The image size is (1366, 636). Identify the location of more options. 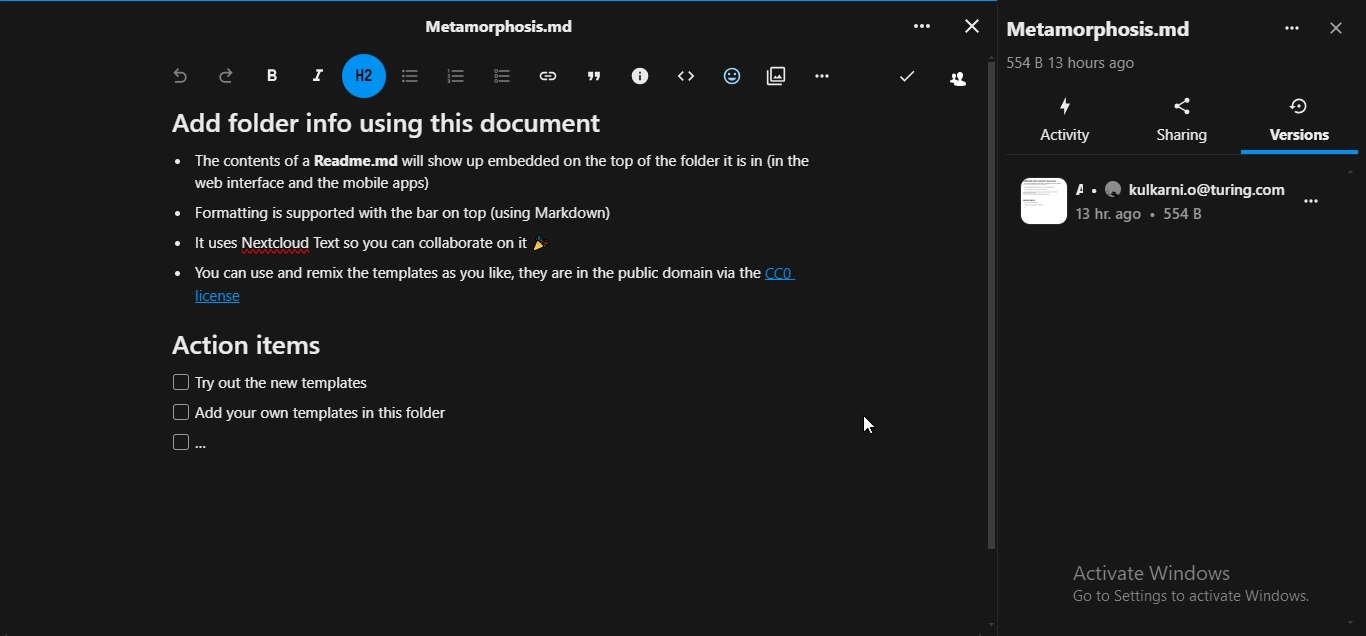
(1291, 28).